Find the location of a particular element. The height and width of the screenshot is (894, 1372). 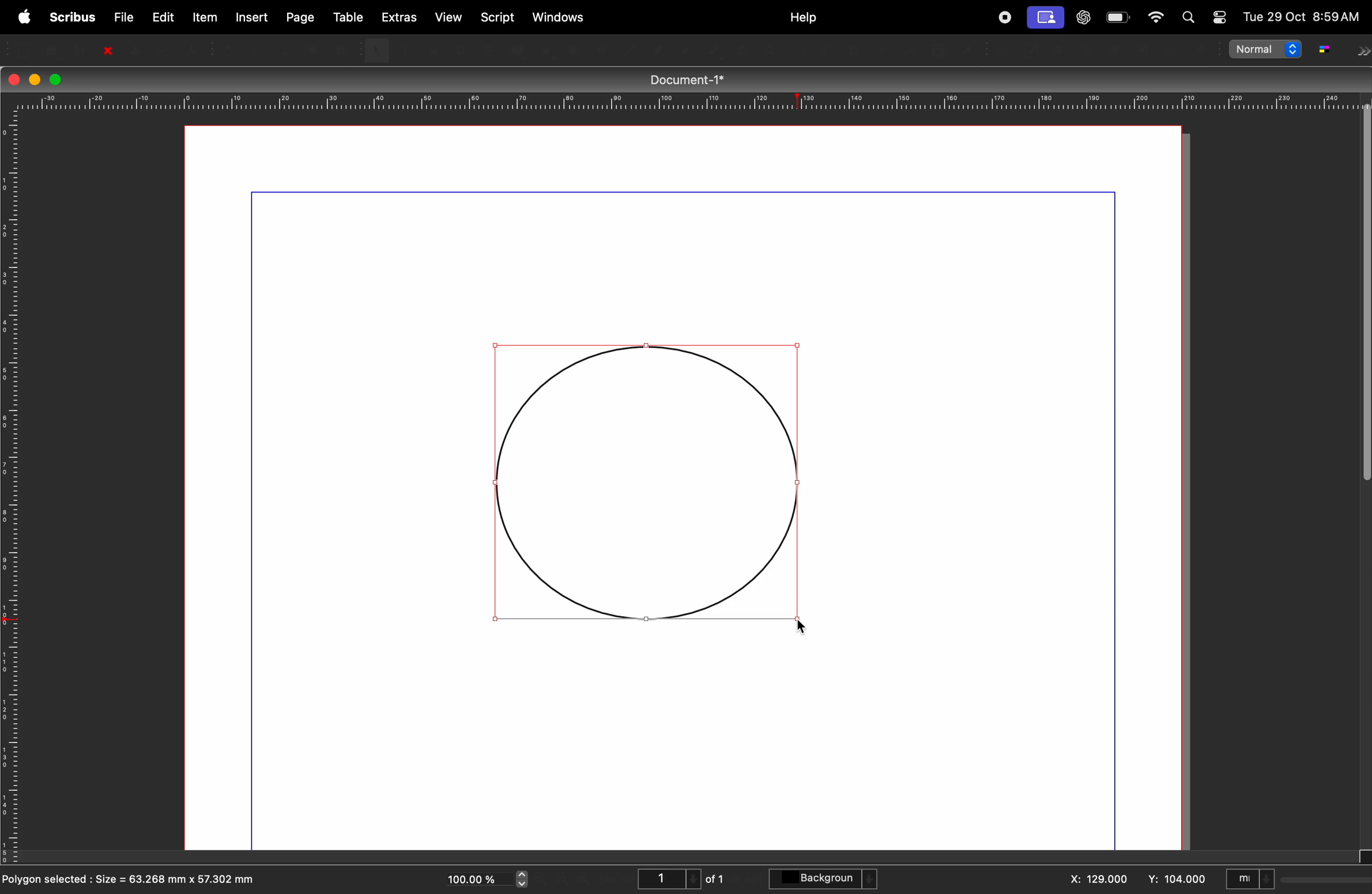

help is located at coordinates (803, 18).